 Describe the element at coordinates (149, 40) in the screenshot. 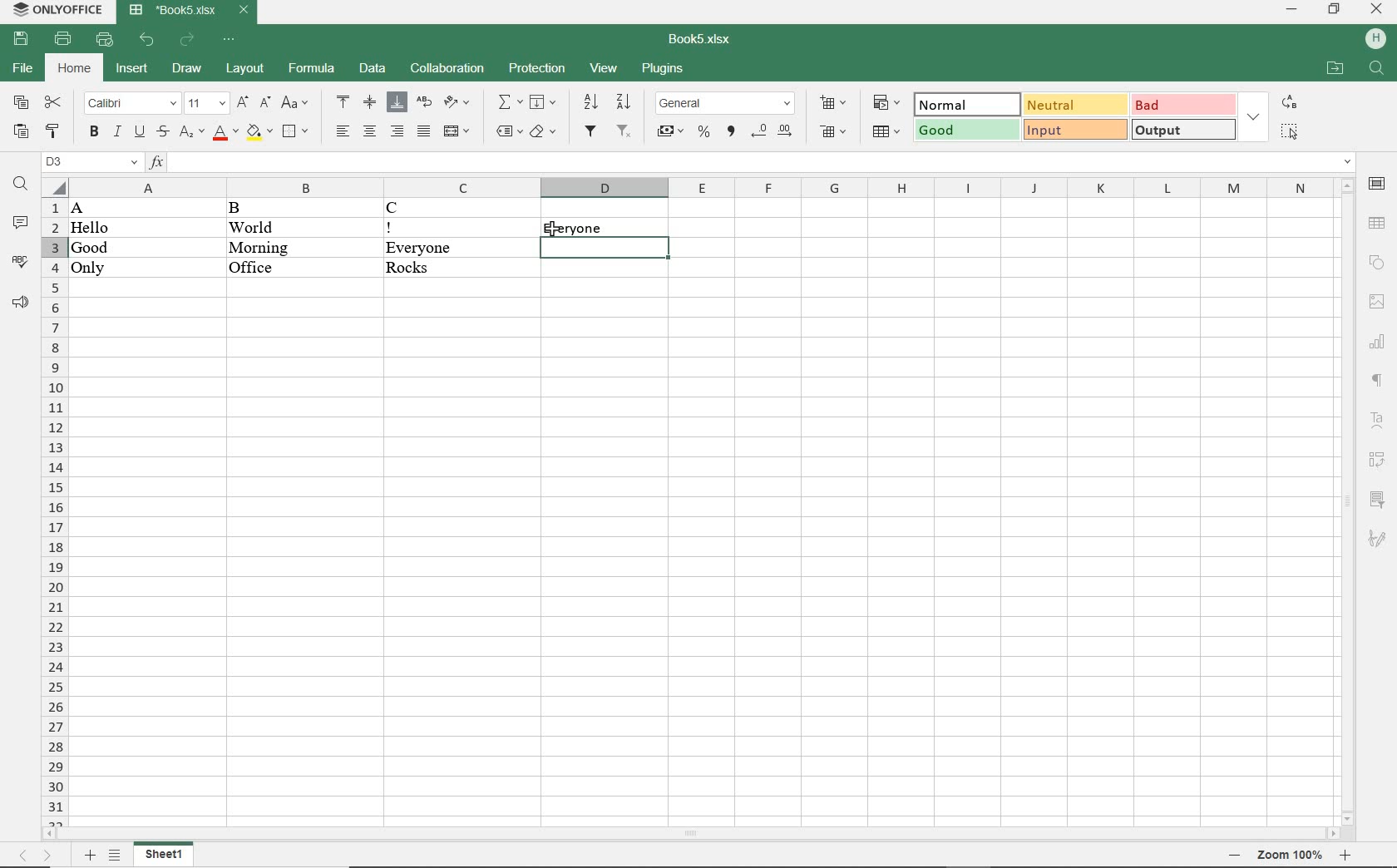

I see `undo` at that location.